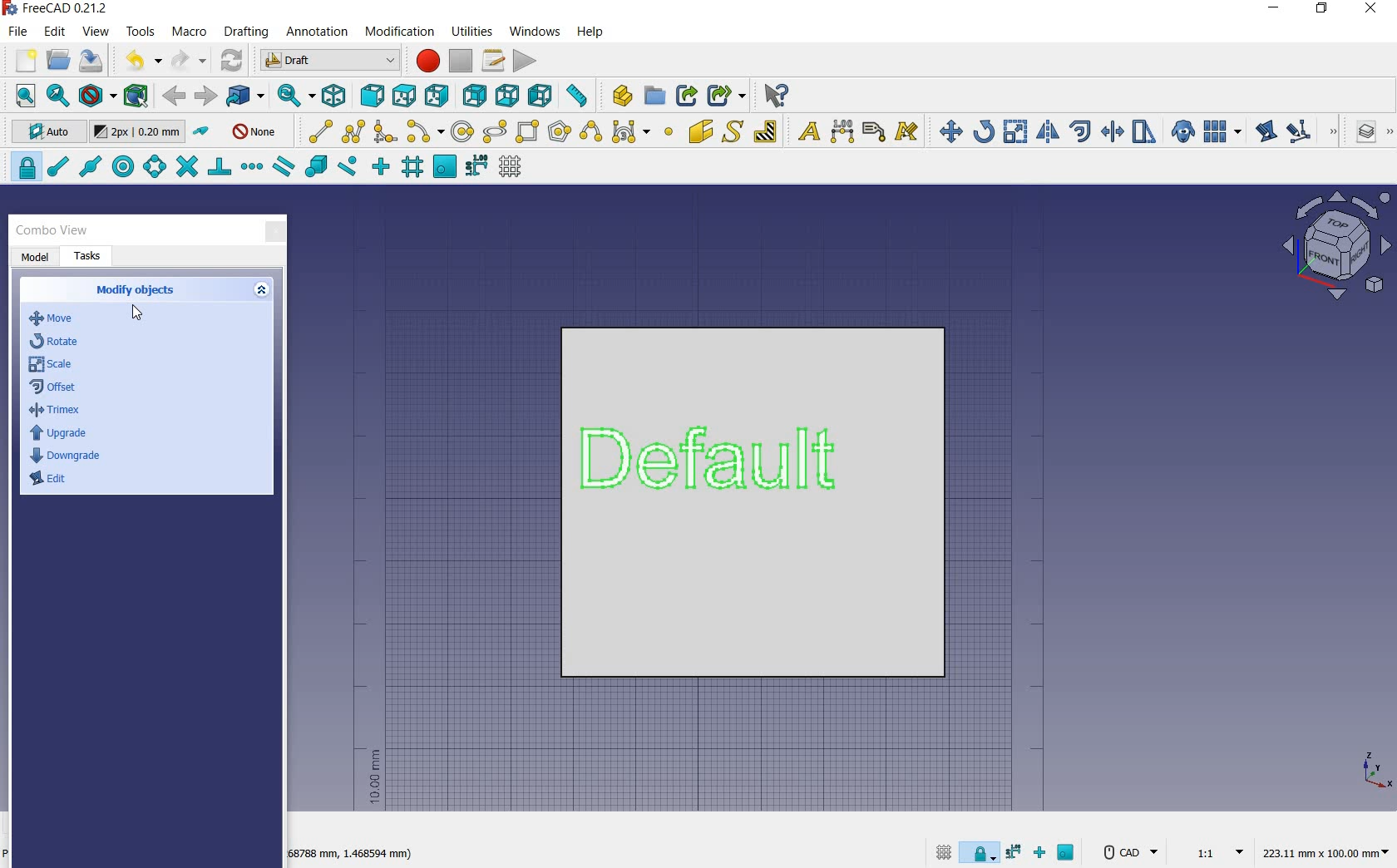  I want to click on save, so click(91, 61).